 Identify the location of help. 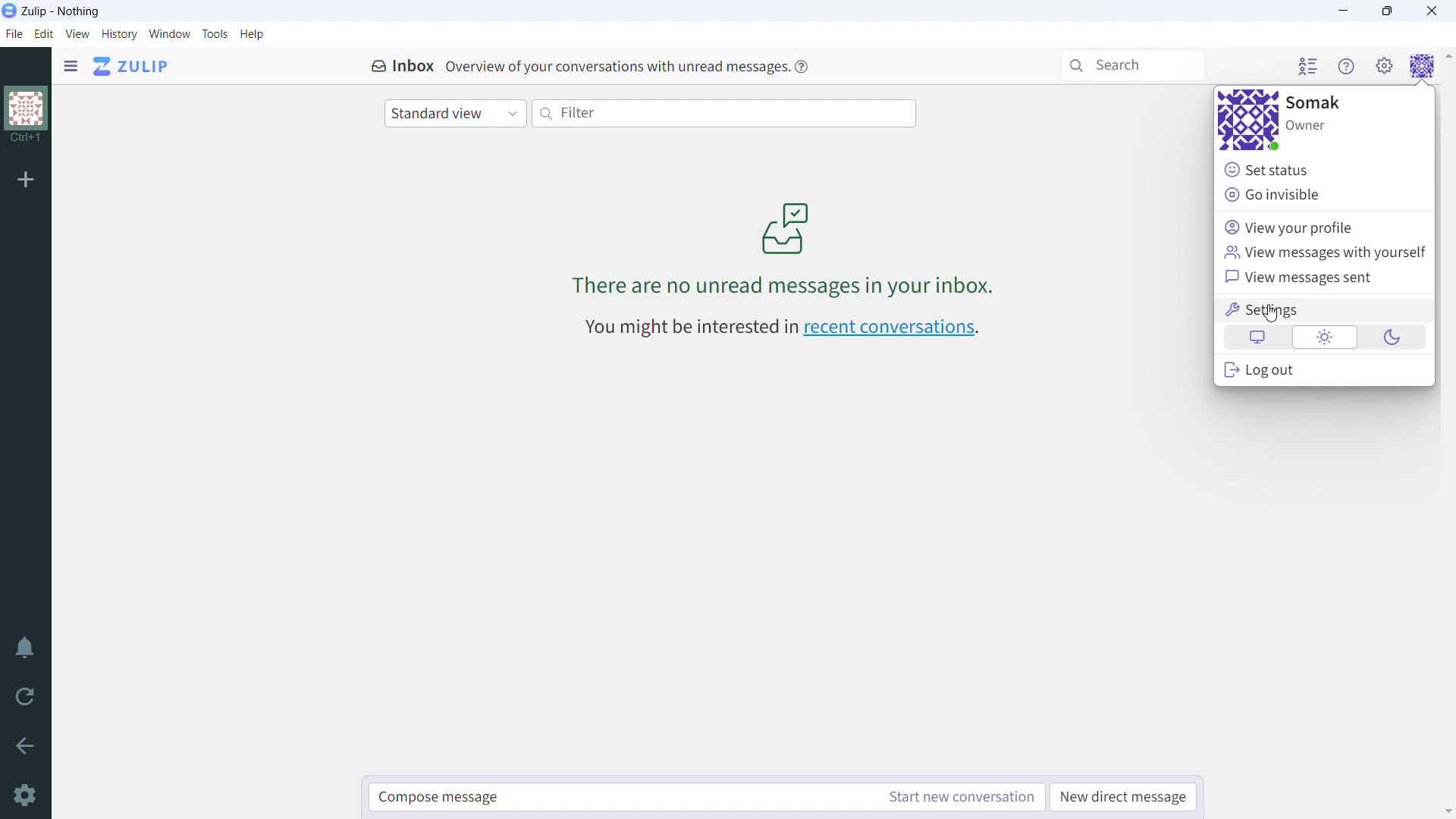
(802, 67).